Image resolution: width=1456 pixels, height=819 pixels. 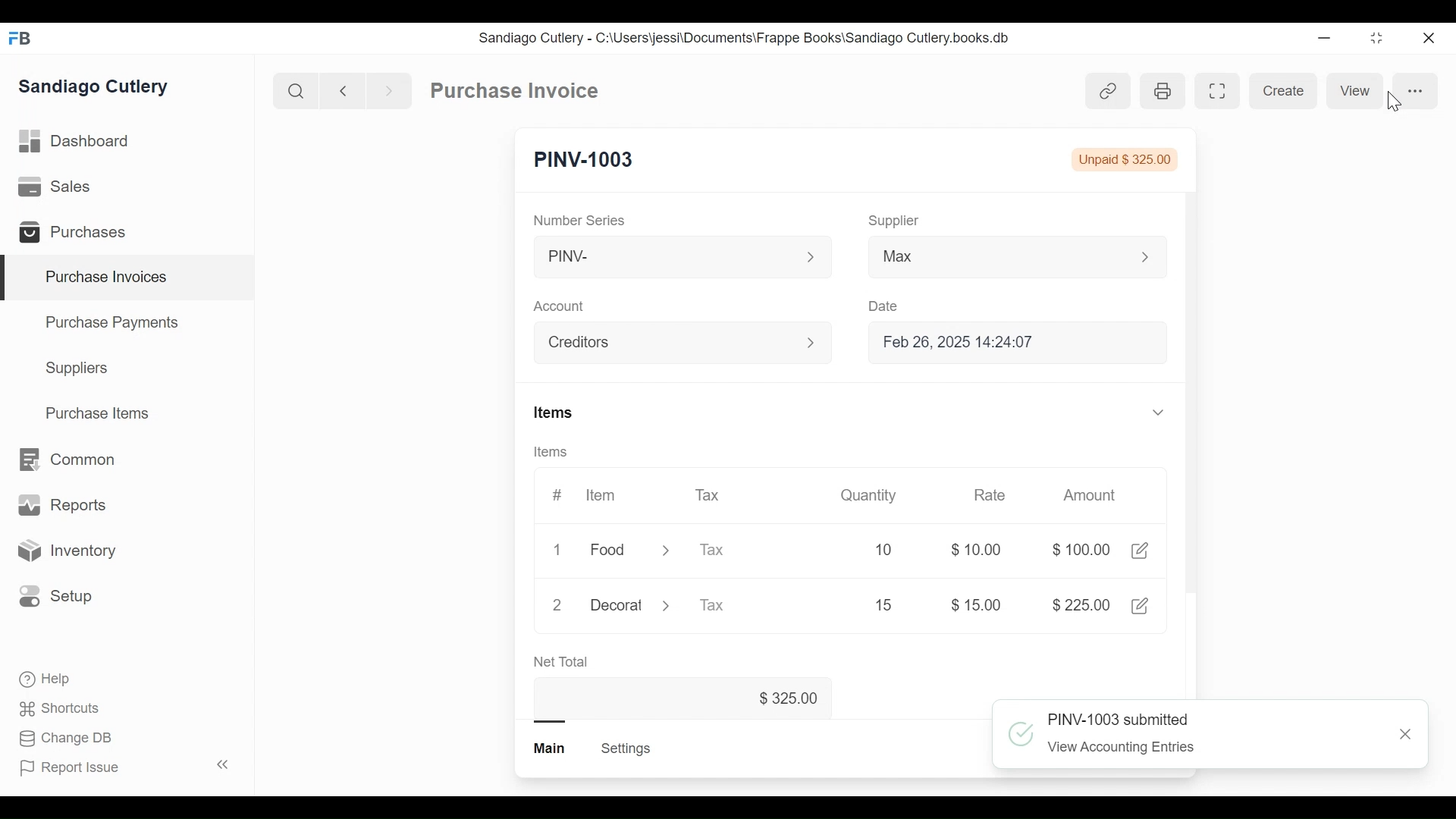 I want to click on Create, so click(x=1282, y=91).